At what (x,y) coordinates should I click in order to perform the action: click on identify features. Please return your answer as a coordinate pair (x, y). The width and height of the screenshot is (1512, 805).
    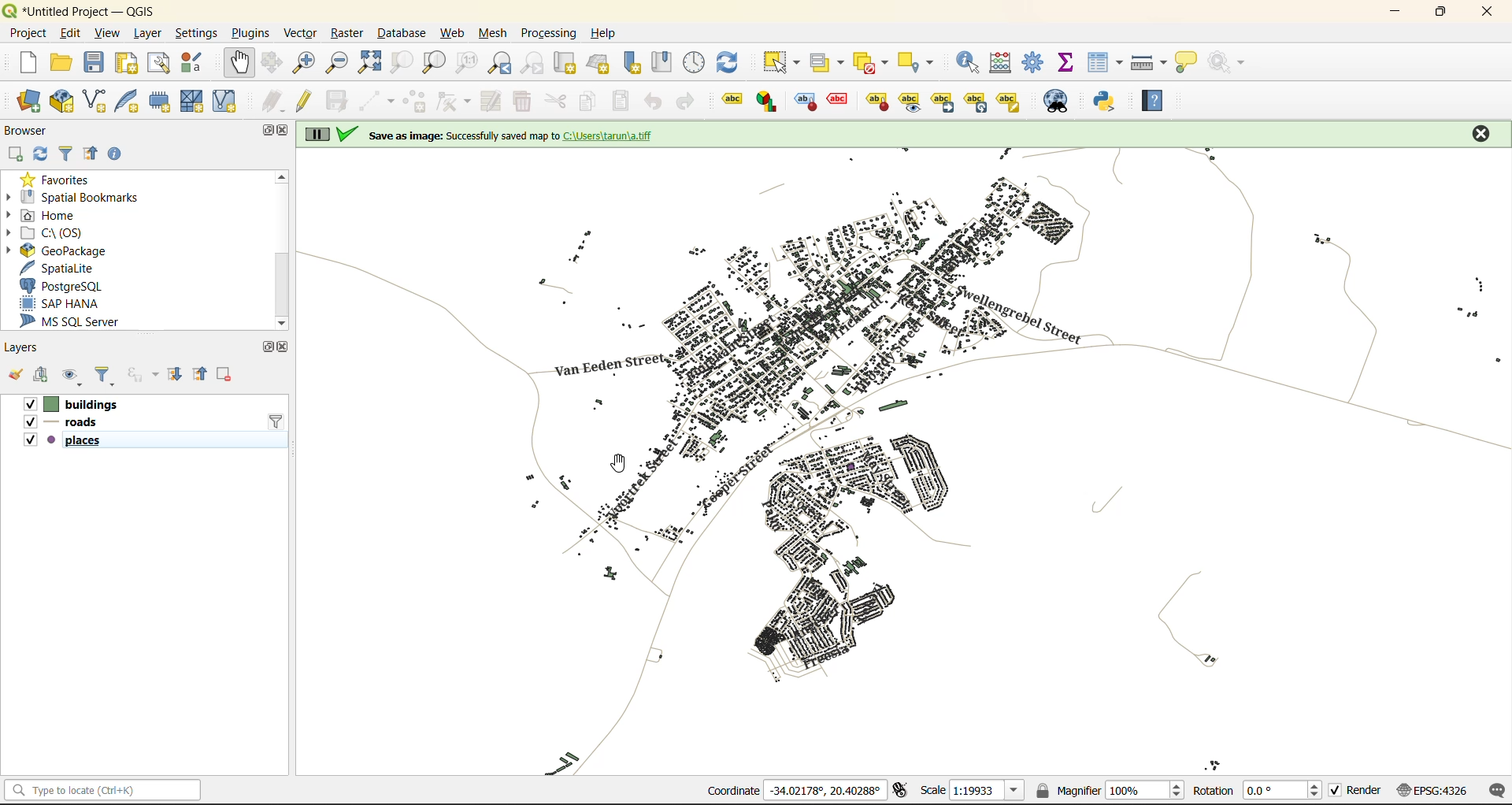
    Looking at the image, I should click on (969, 61).